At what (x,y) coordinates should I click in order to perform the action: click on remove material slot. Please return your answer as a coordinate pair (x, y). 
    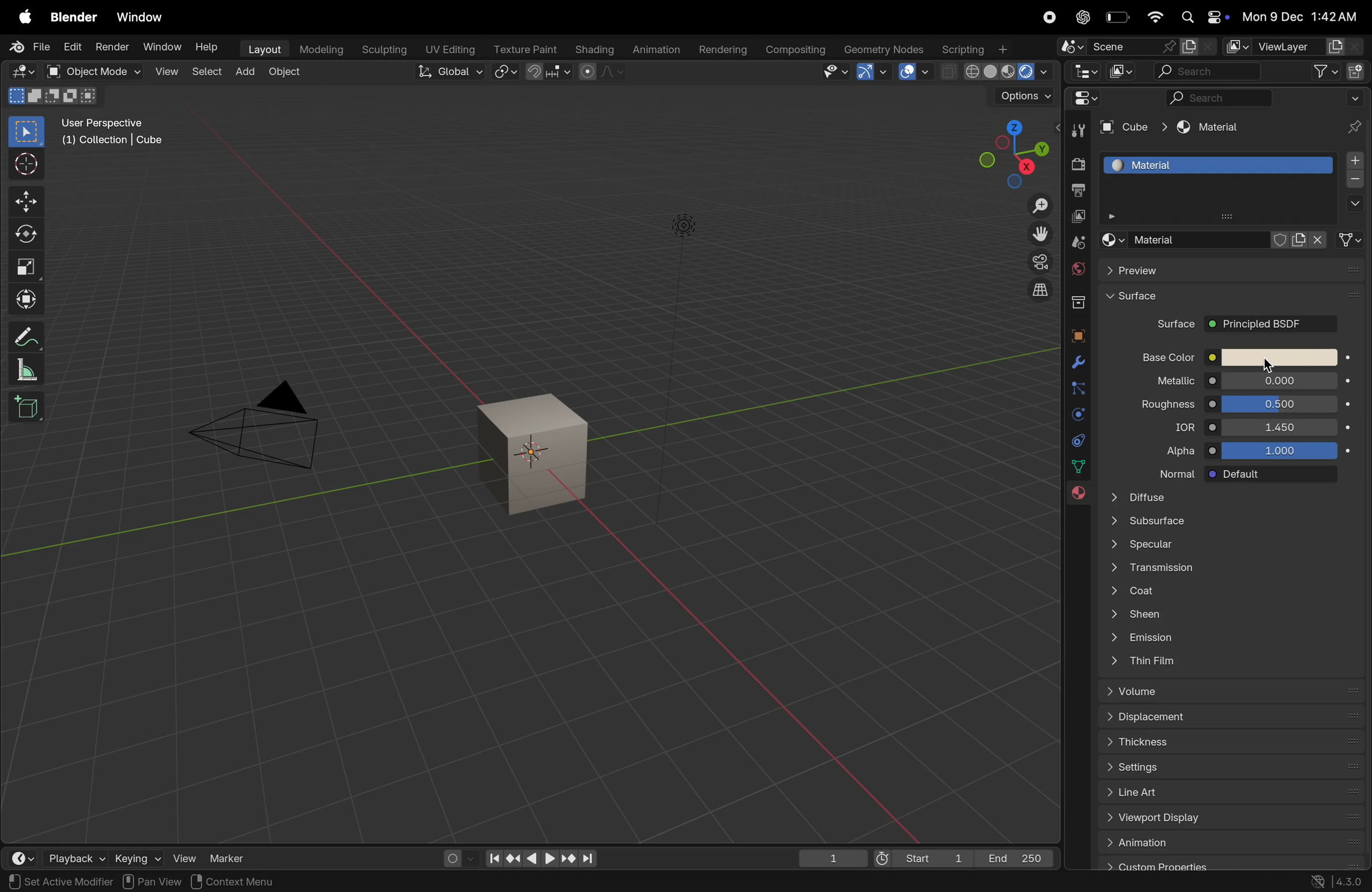
    Looking at the image, I should click on (1355, 181).